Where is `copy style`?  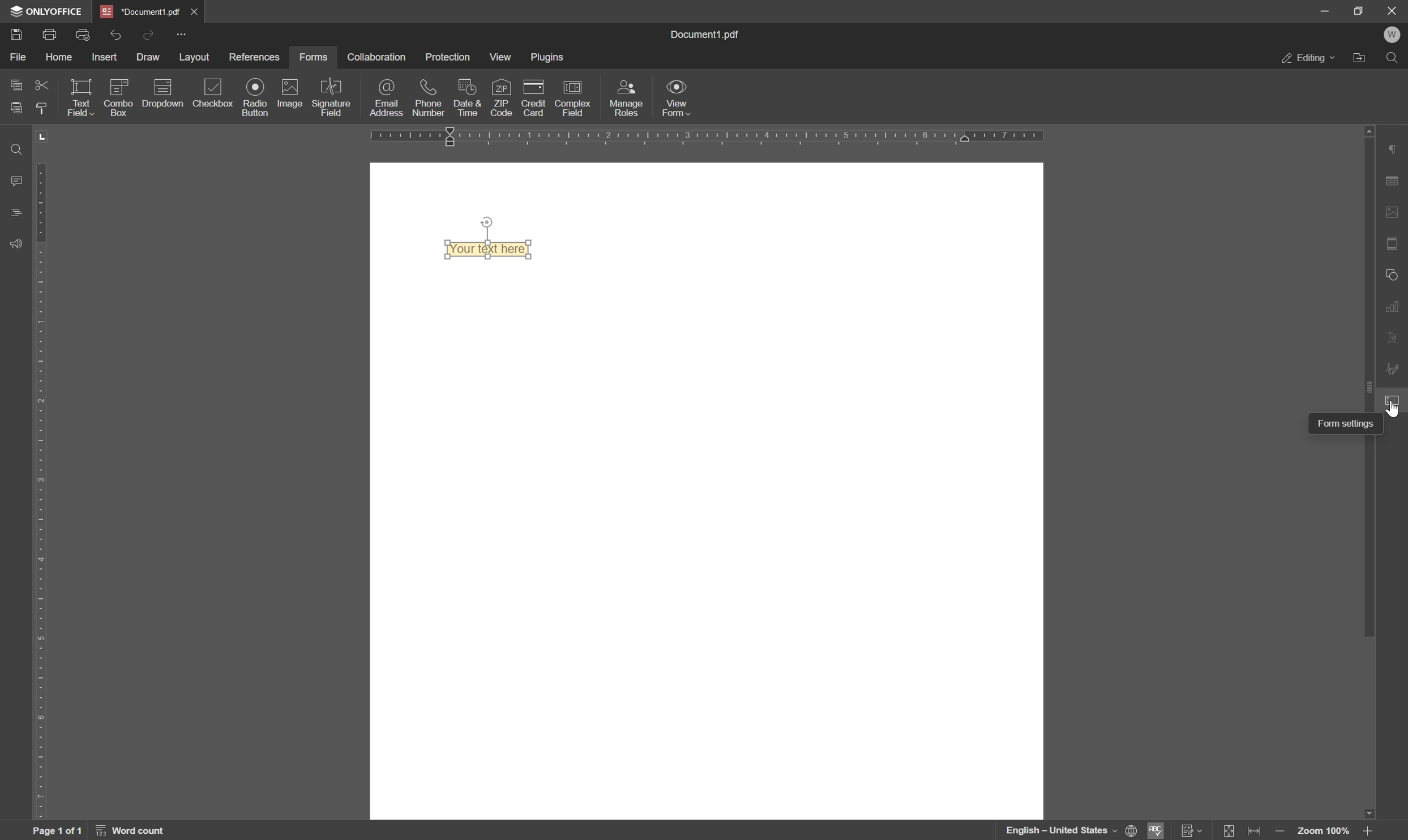 copy style is located at coordinates (42, 109).